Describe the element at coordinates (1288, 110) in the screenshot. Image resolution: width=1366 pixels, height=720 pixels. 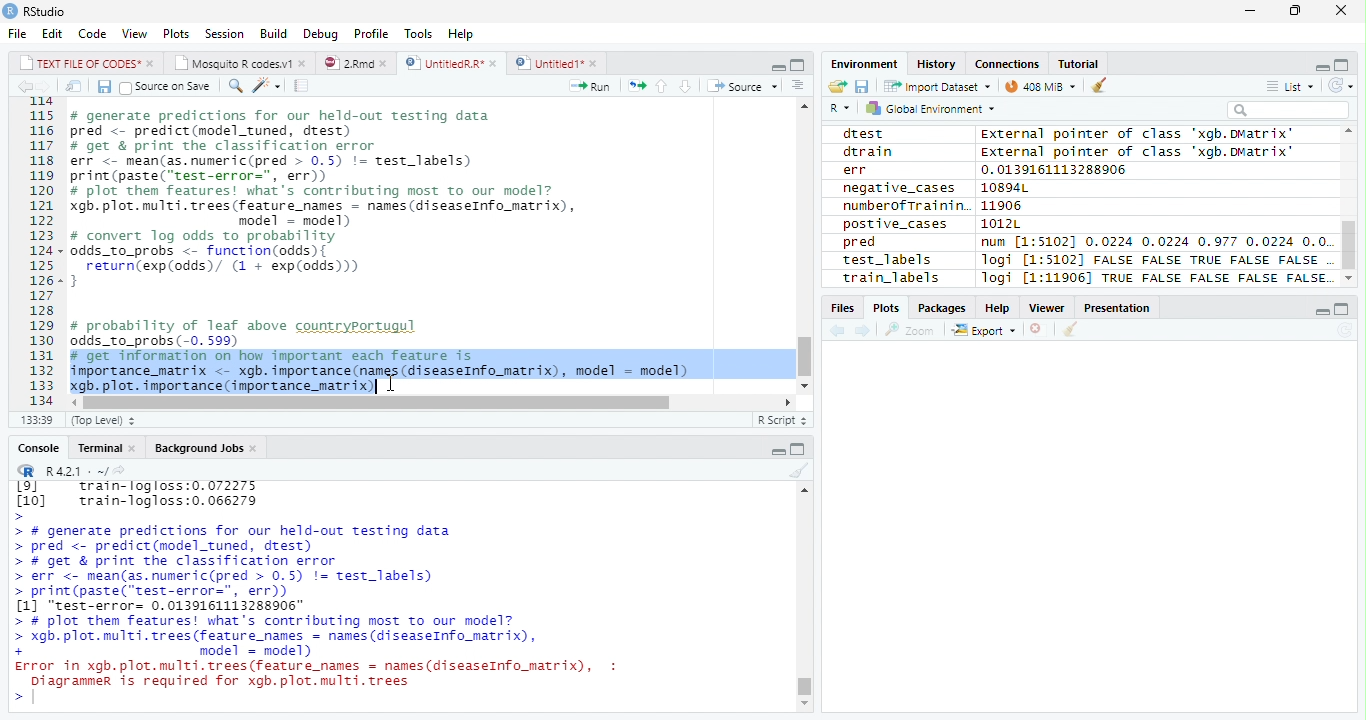
I see `Search` at that location.